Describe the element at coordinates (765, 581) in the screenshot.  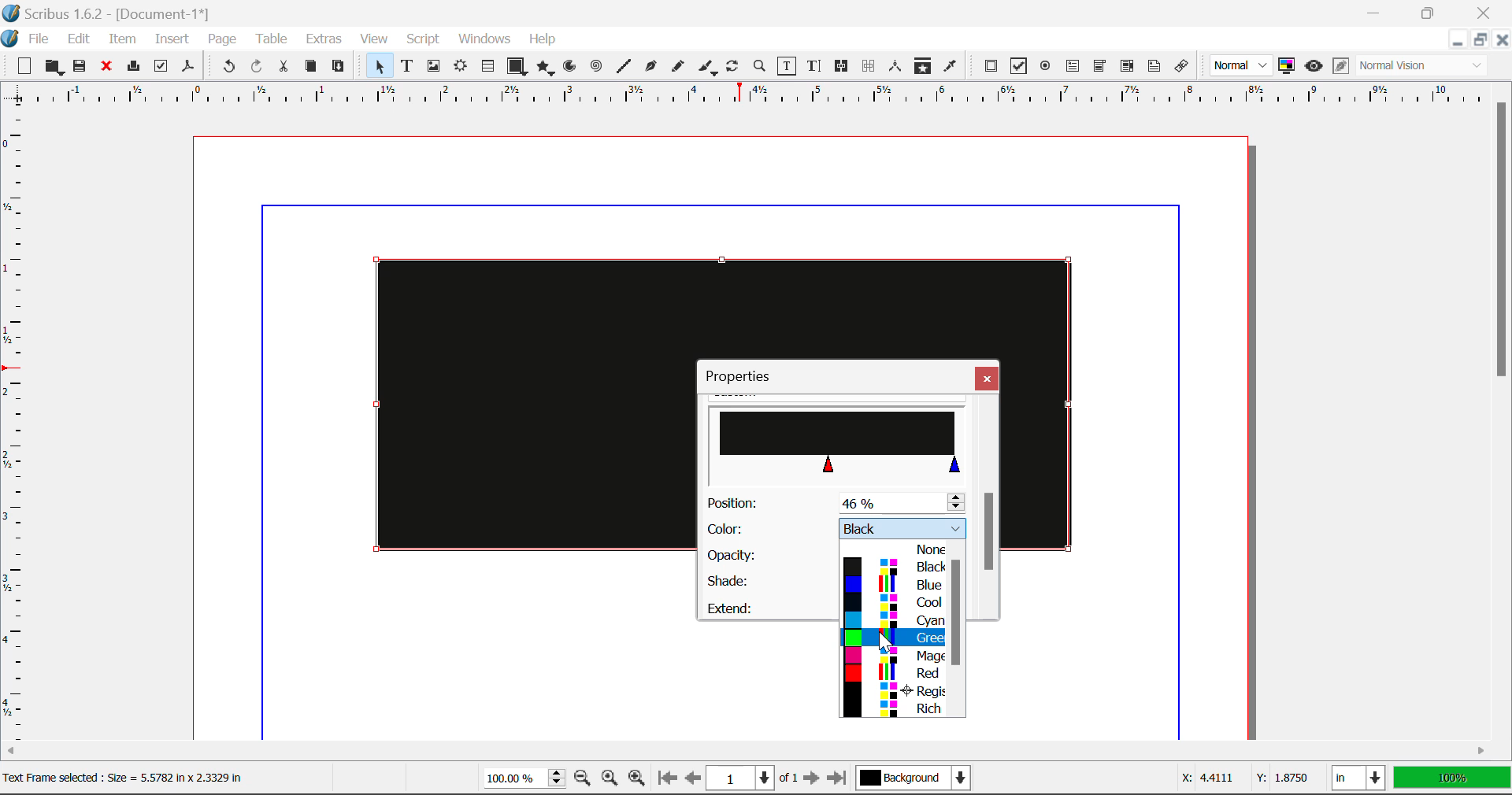
I see `Shade` at that location.